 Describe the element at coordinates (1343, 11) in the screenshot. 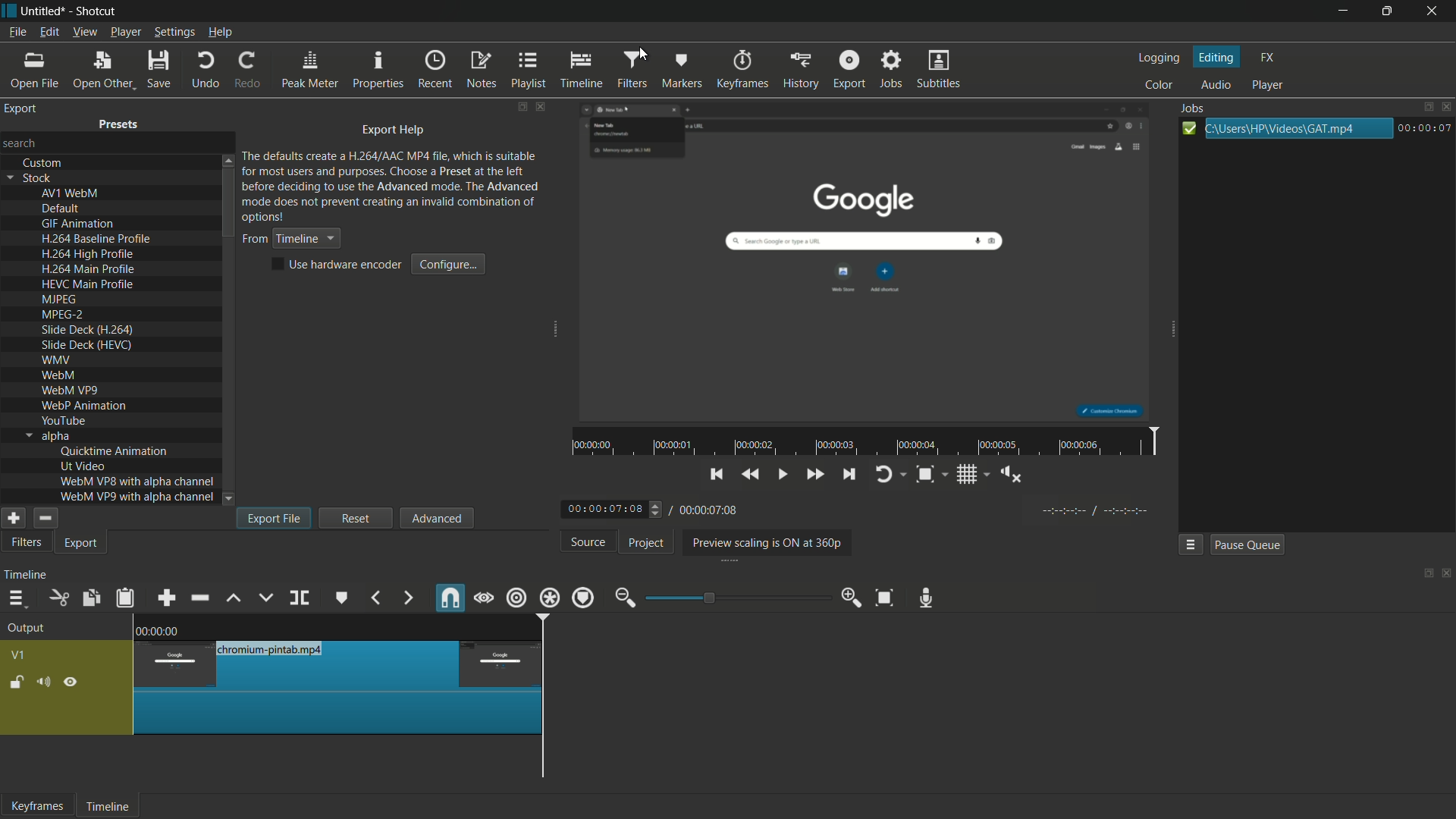

I see `minimize` at that location.